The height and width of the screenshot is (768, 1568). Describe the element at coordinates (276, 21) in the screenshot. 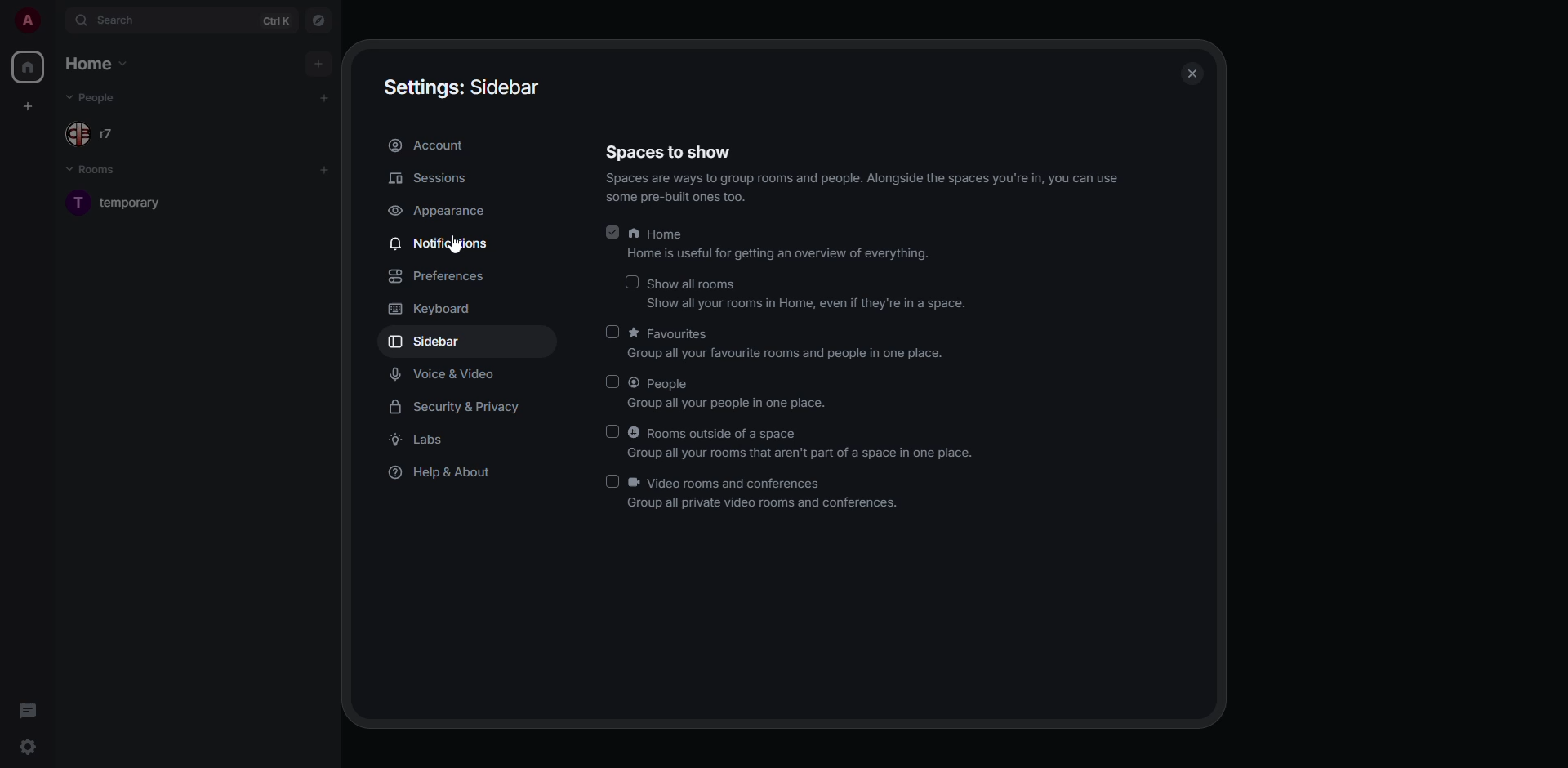

I see `ctrl K` at that location.